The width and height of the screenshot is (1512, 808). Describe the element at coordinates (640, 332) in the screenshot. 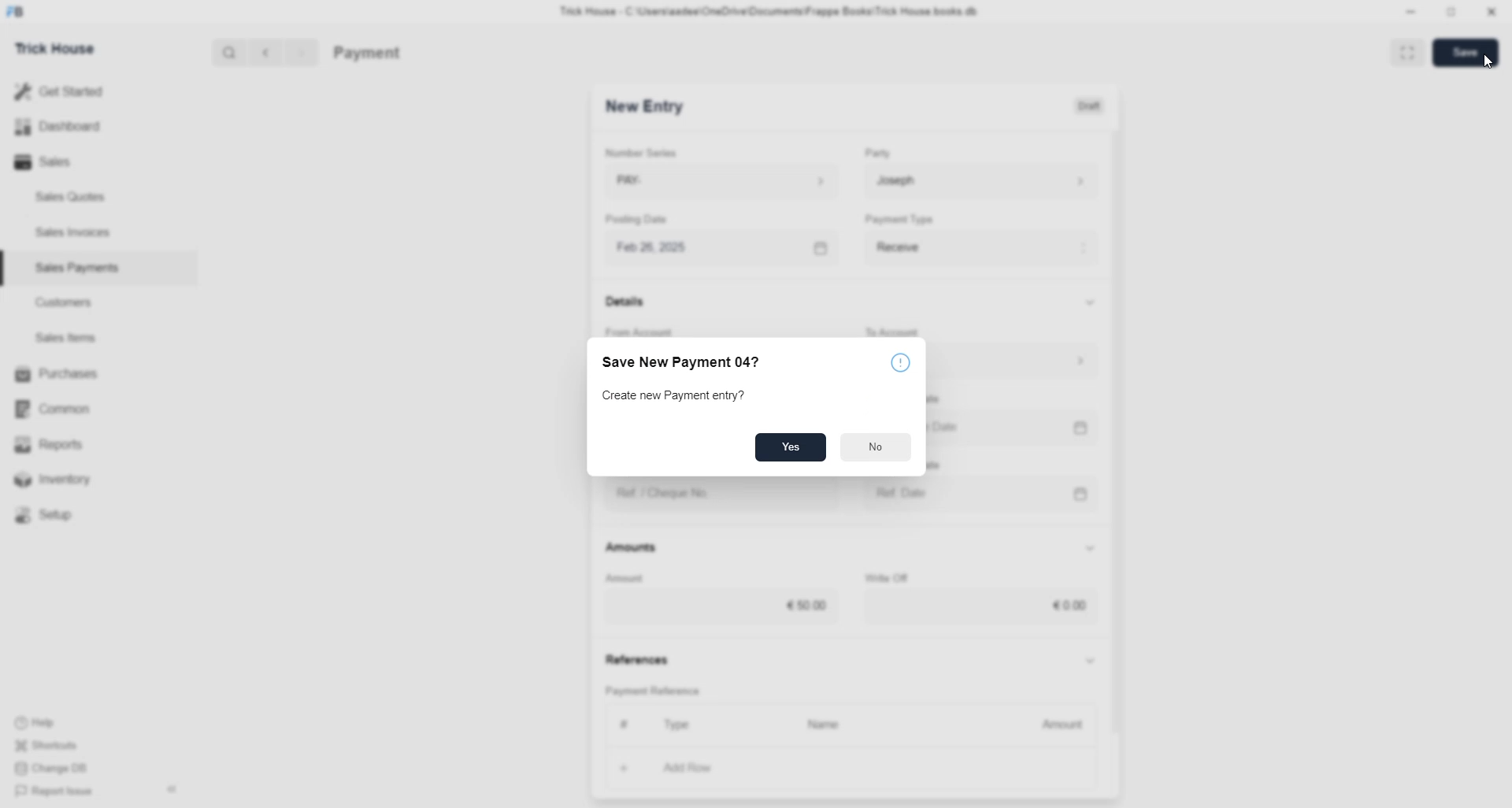

I see `From Account` at that location.